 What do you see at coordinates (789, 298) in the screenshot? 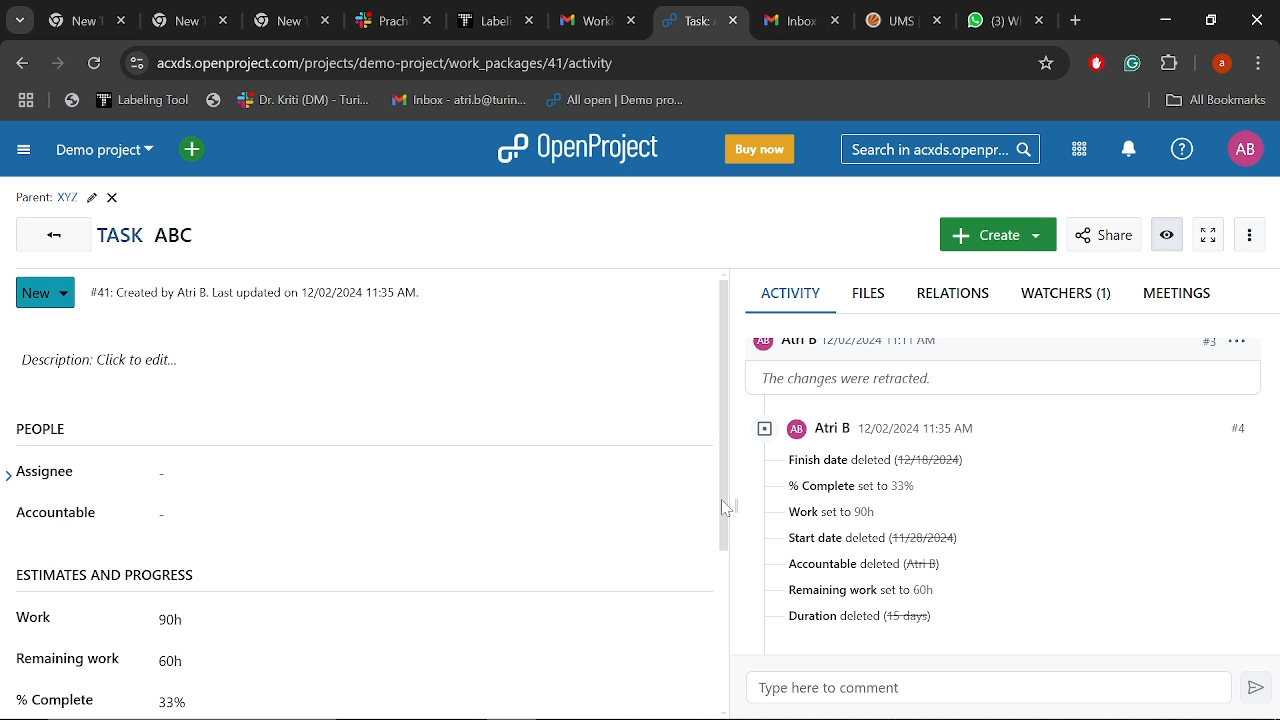
I see `Activity` at bounding box center [789, 298].